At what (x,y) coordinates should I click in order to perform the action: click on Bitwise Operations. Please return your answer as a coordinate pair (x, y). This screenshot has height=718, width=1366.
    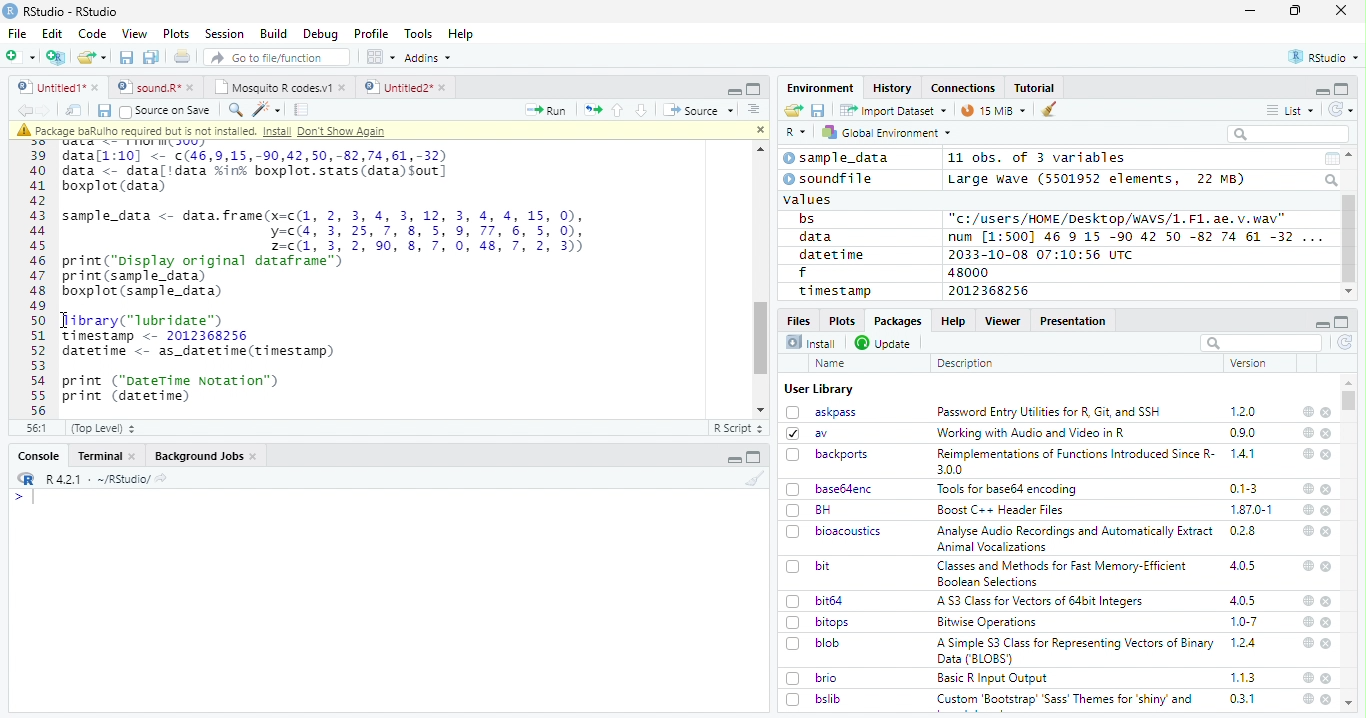
    Looking at the image, I should click on (989, 622).